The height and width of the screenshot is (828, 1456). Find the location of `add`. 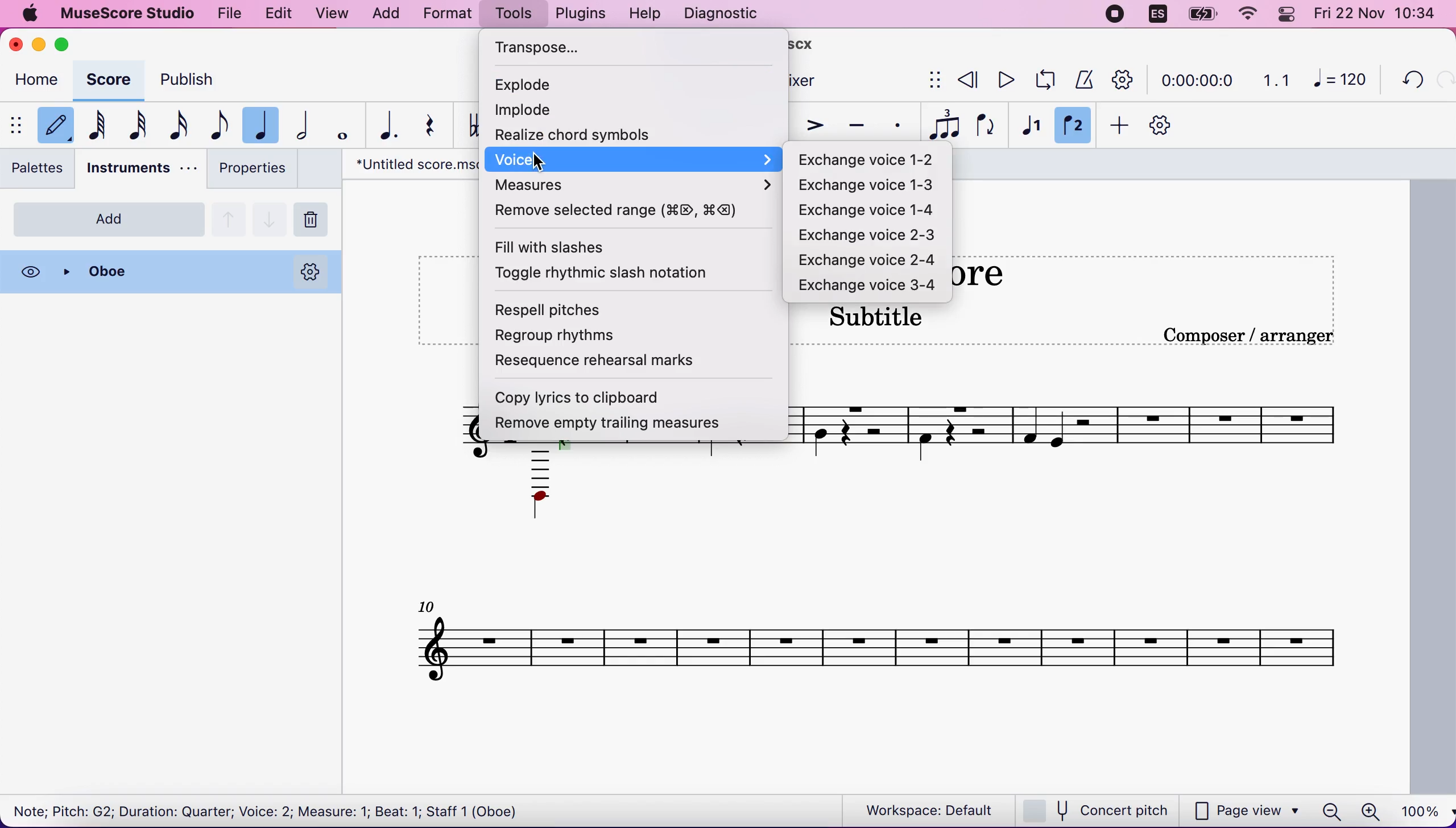

add is located at coordinates (390, 14).